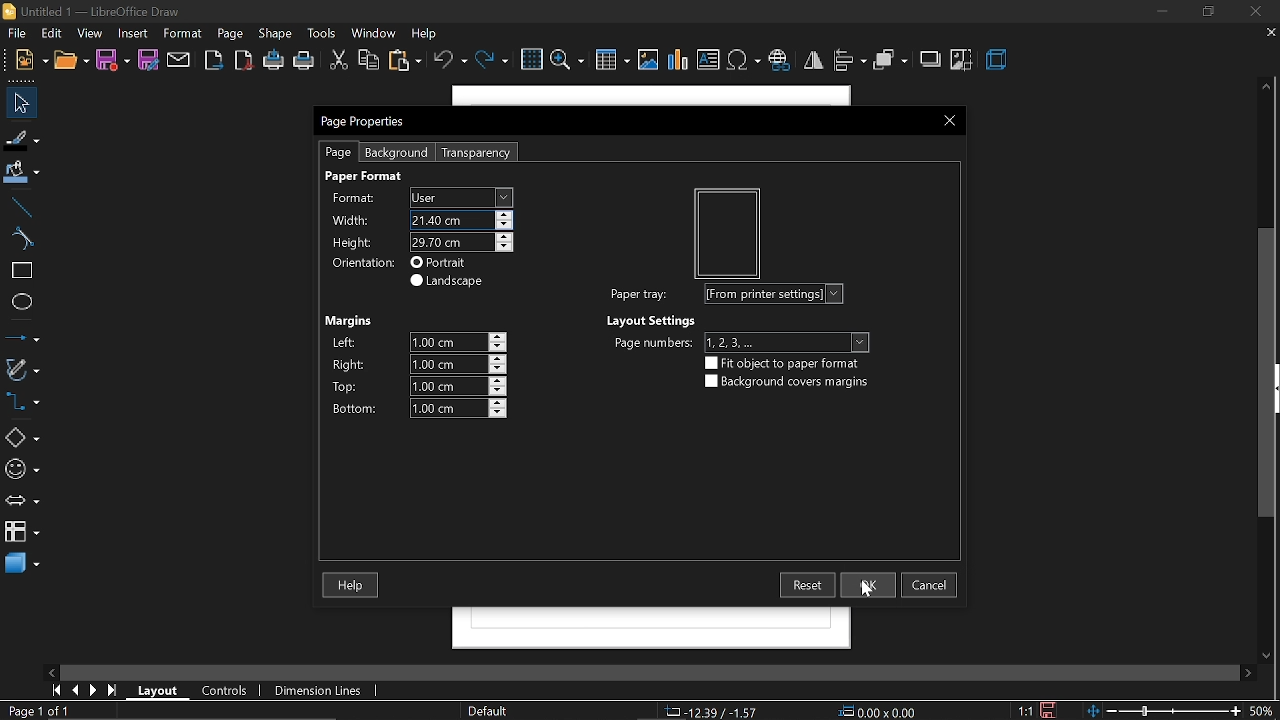 The image size is (1280, 720). What do you see at coordinates (338, 152) in the screenshot?
I see `page` at bounding box center [338, 152].